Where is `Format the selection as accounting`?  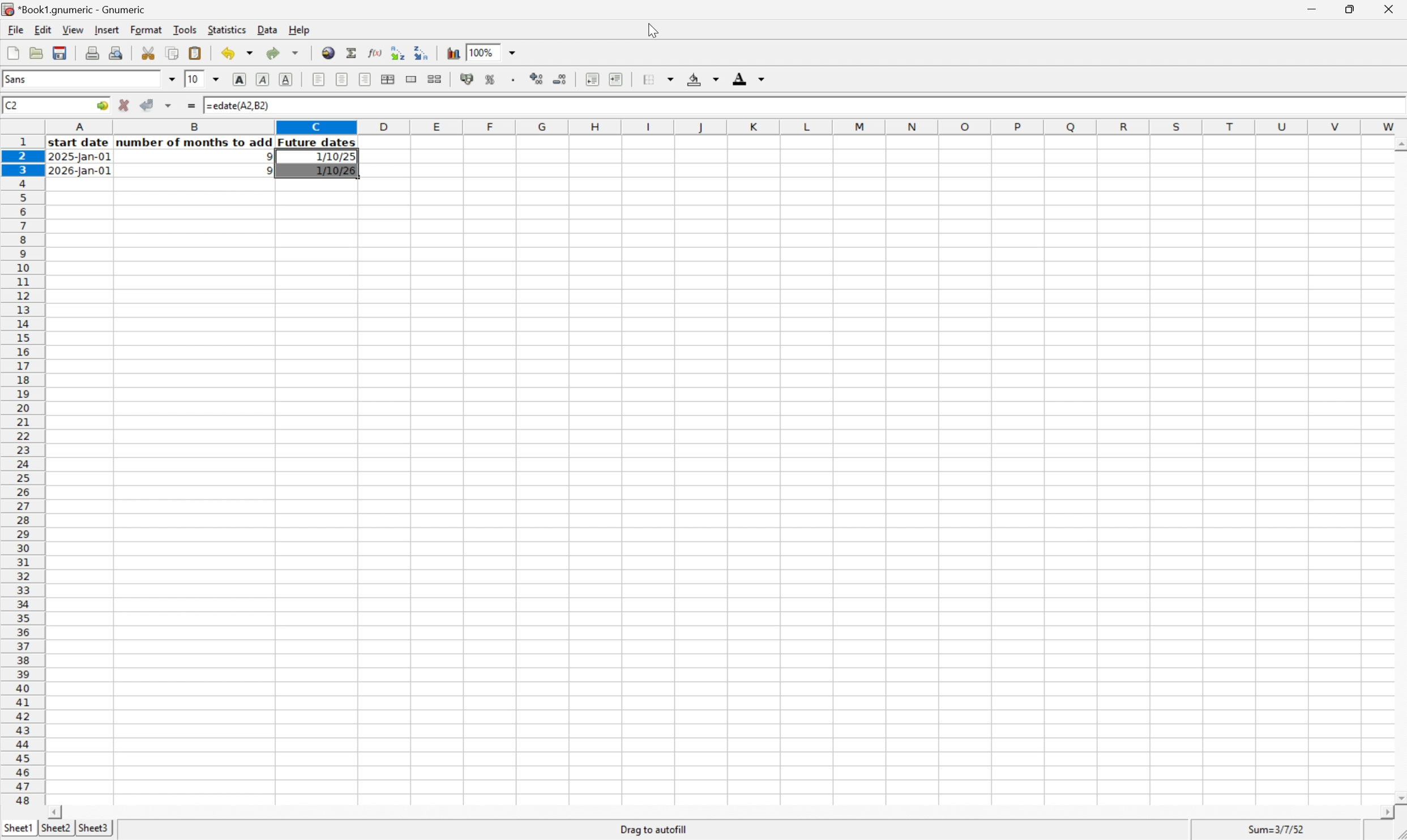 Format the selection as accounting is located at coordinates (465, 79).